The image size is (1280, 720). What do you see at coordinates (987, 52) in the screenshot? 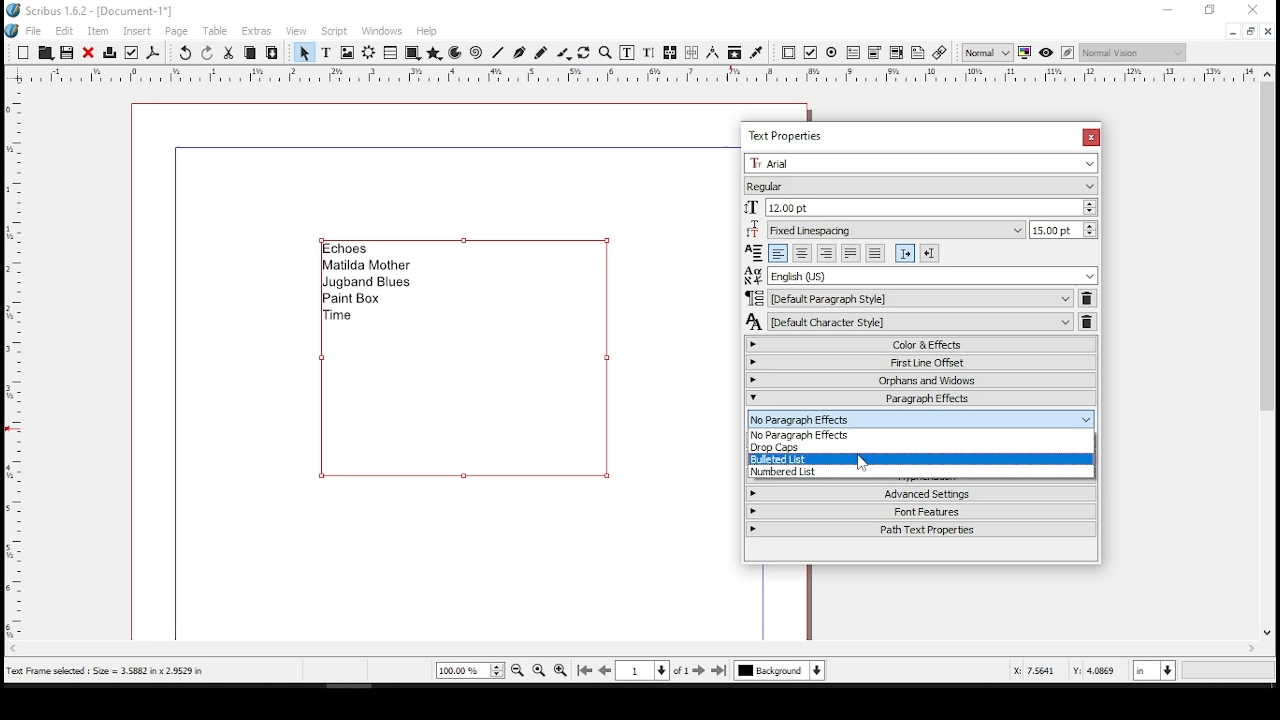
I see `select image preview quality` at bounding box center [987, 52].